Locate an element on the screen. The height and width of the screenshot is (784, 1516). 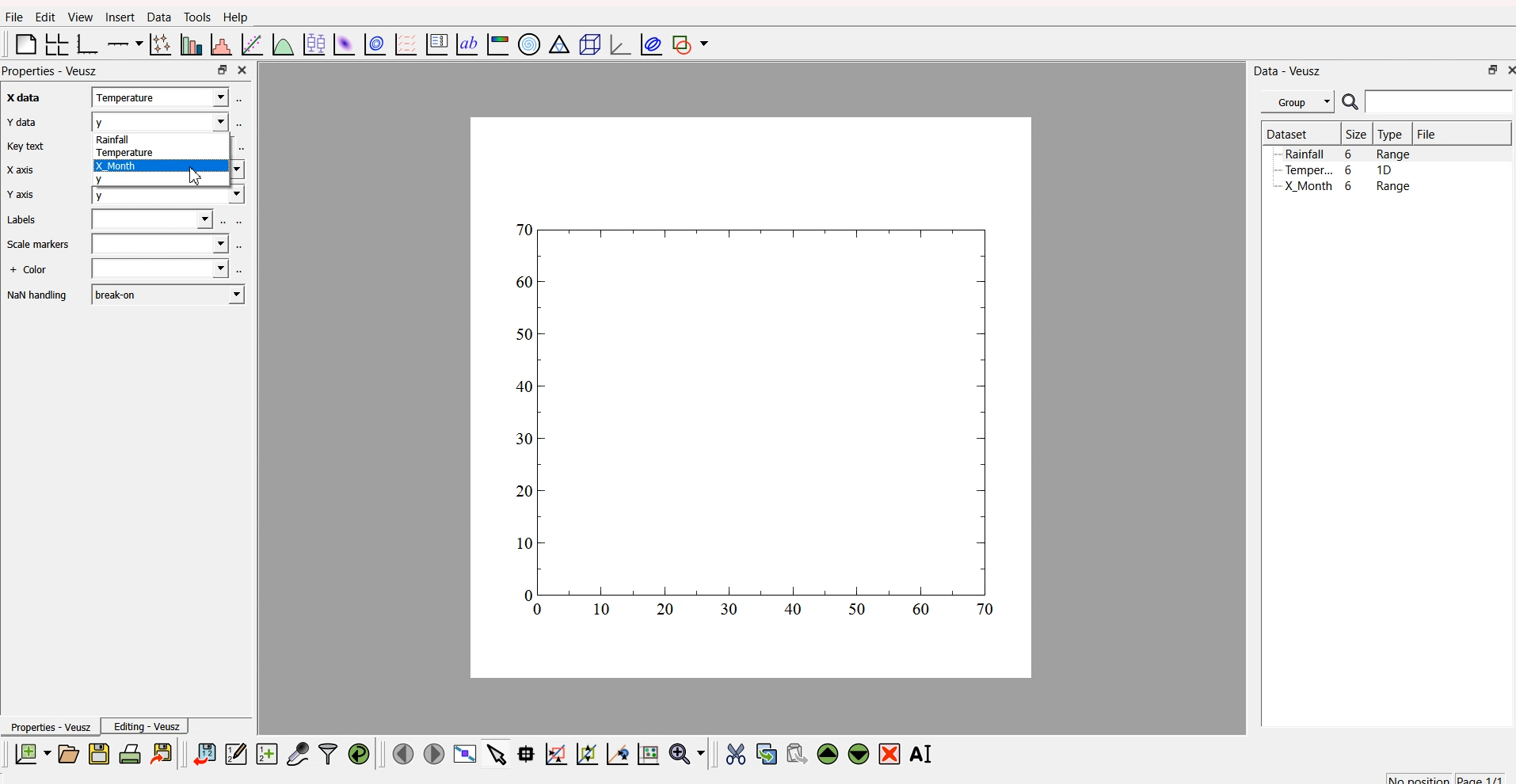
maximize is located at coordinates (221, 70).